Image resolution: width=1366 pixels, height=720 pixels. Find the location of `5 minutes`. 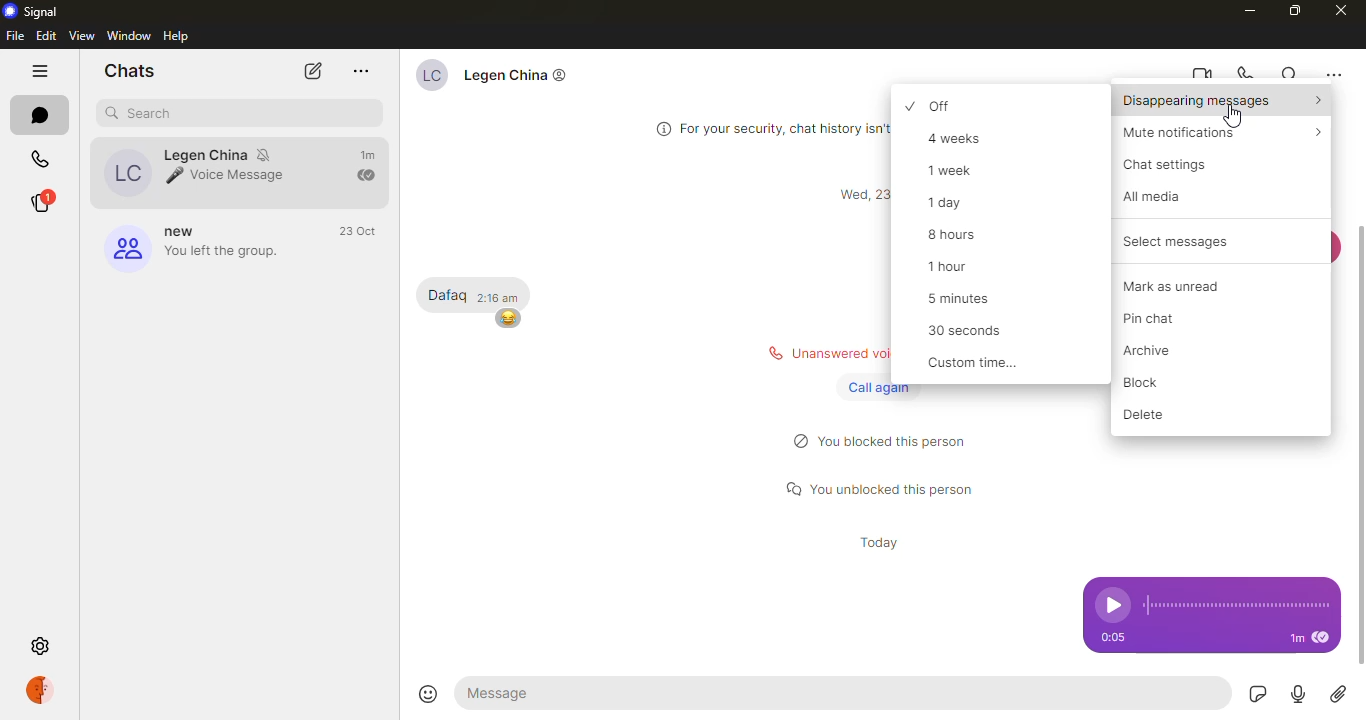

5 minutes is located at coordinates (968, 297).